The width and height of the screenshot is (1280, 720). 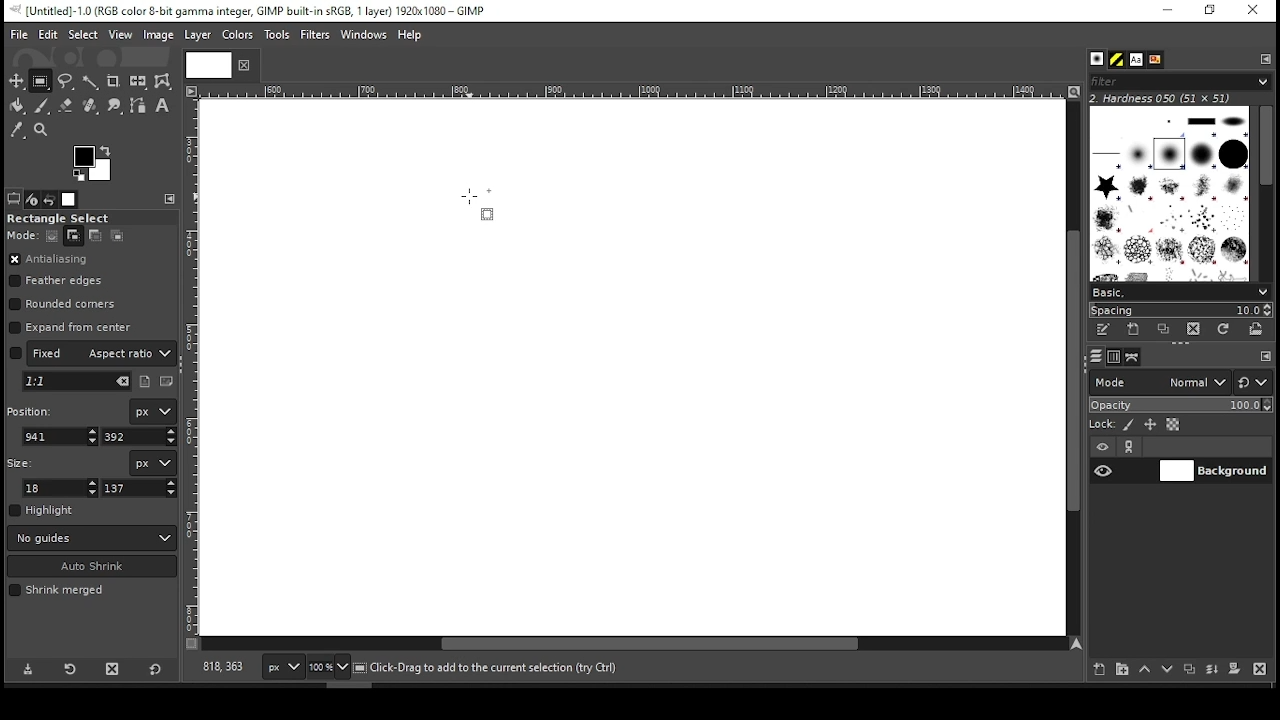 What do you see at coordinates (1104, 470) in the screenshot?
I see `layer visibility on/off` at bounding box center [1104, 470].